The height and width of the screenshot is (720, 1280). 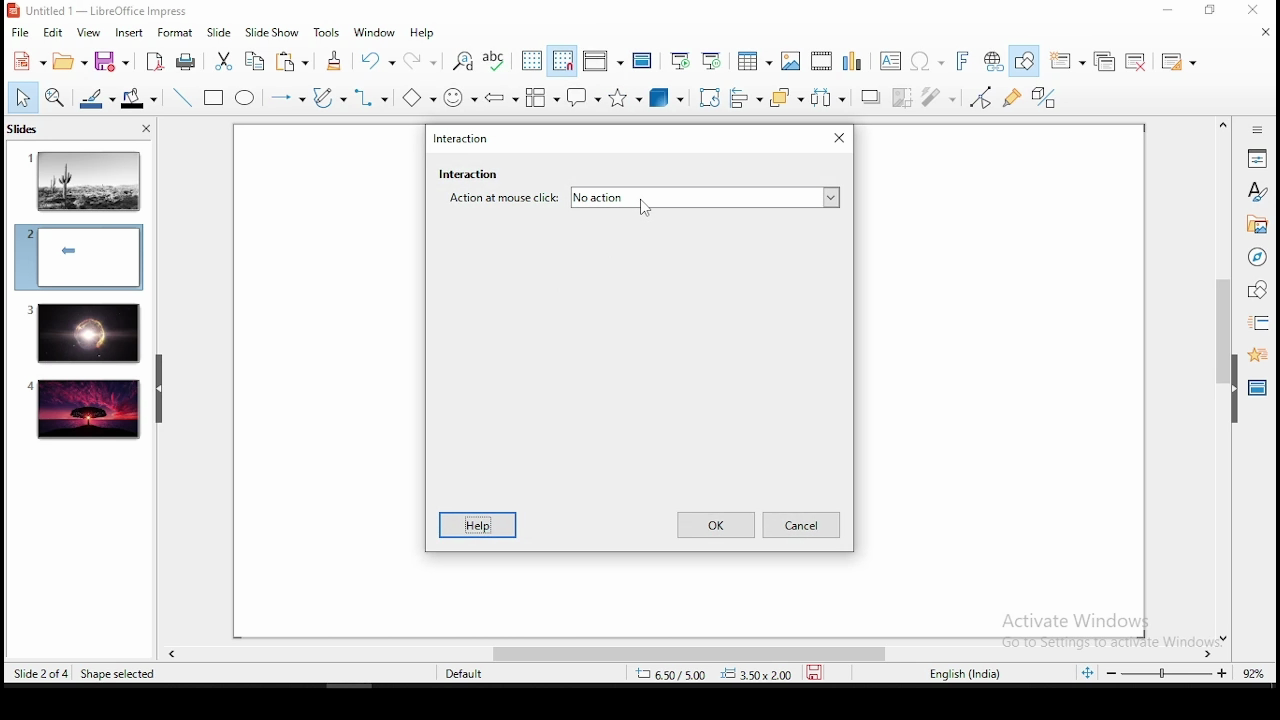 What do you see at coordinates (328, 98) in the screenshot?
I see `curves and polygons` at bounding box center [328, 98].